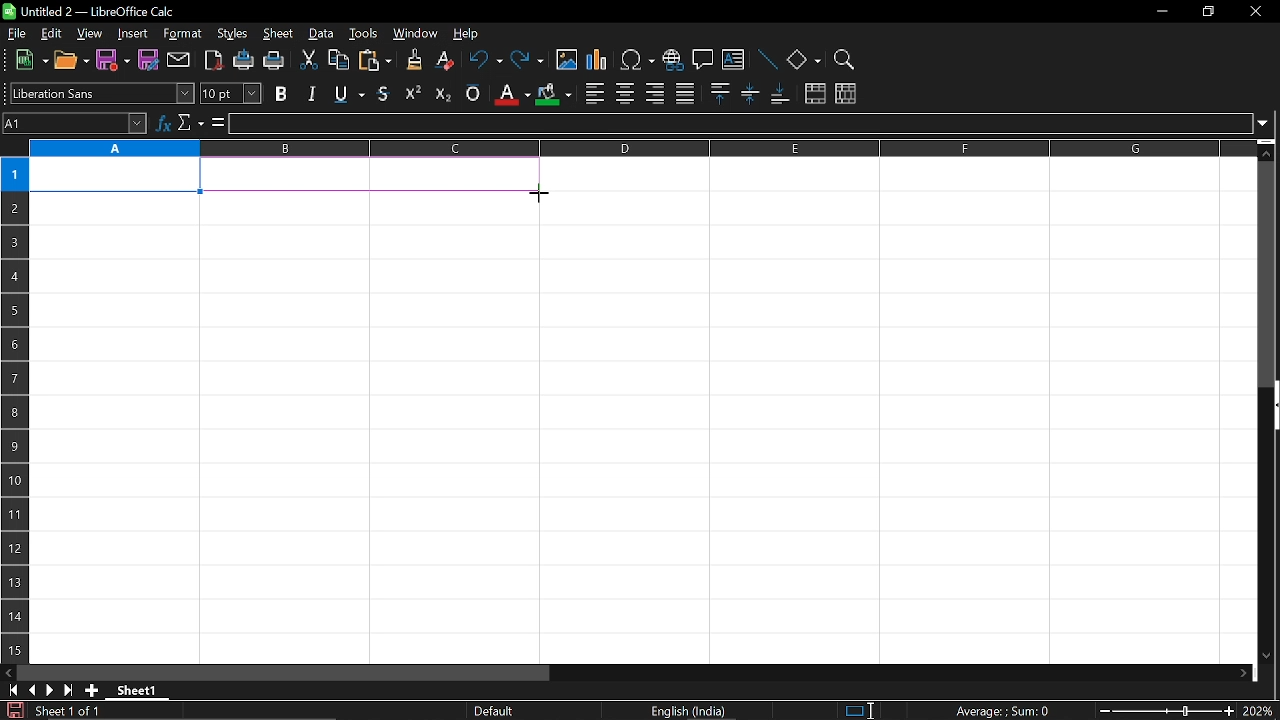 Image resolution: width=1280 pixels, height=720 pixels. What do you see at coordinates (734, 59) in the screenshot?
I see `insert text` at bounding box center [734, 59].